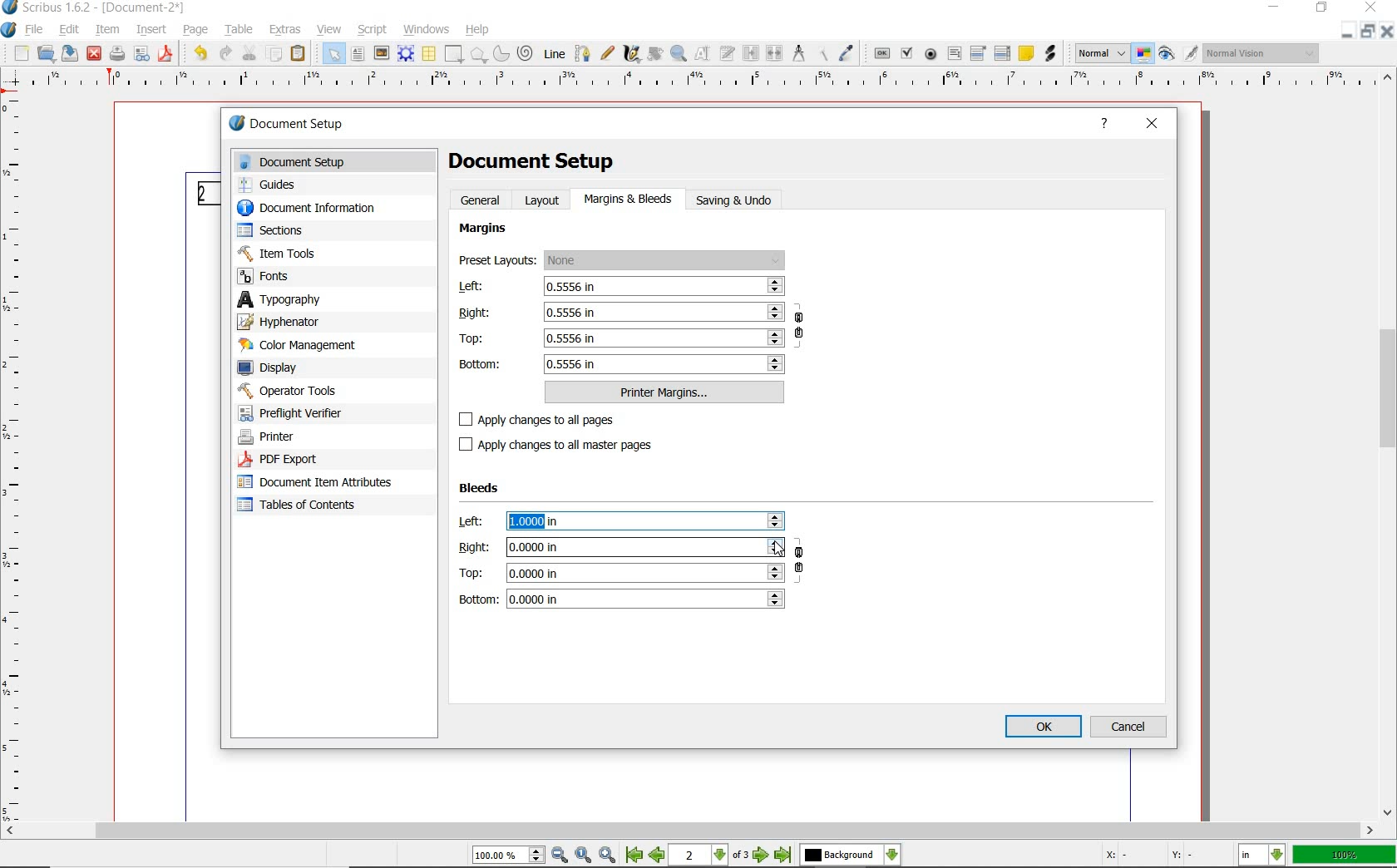  I want to click on undo, so click(198, 53).